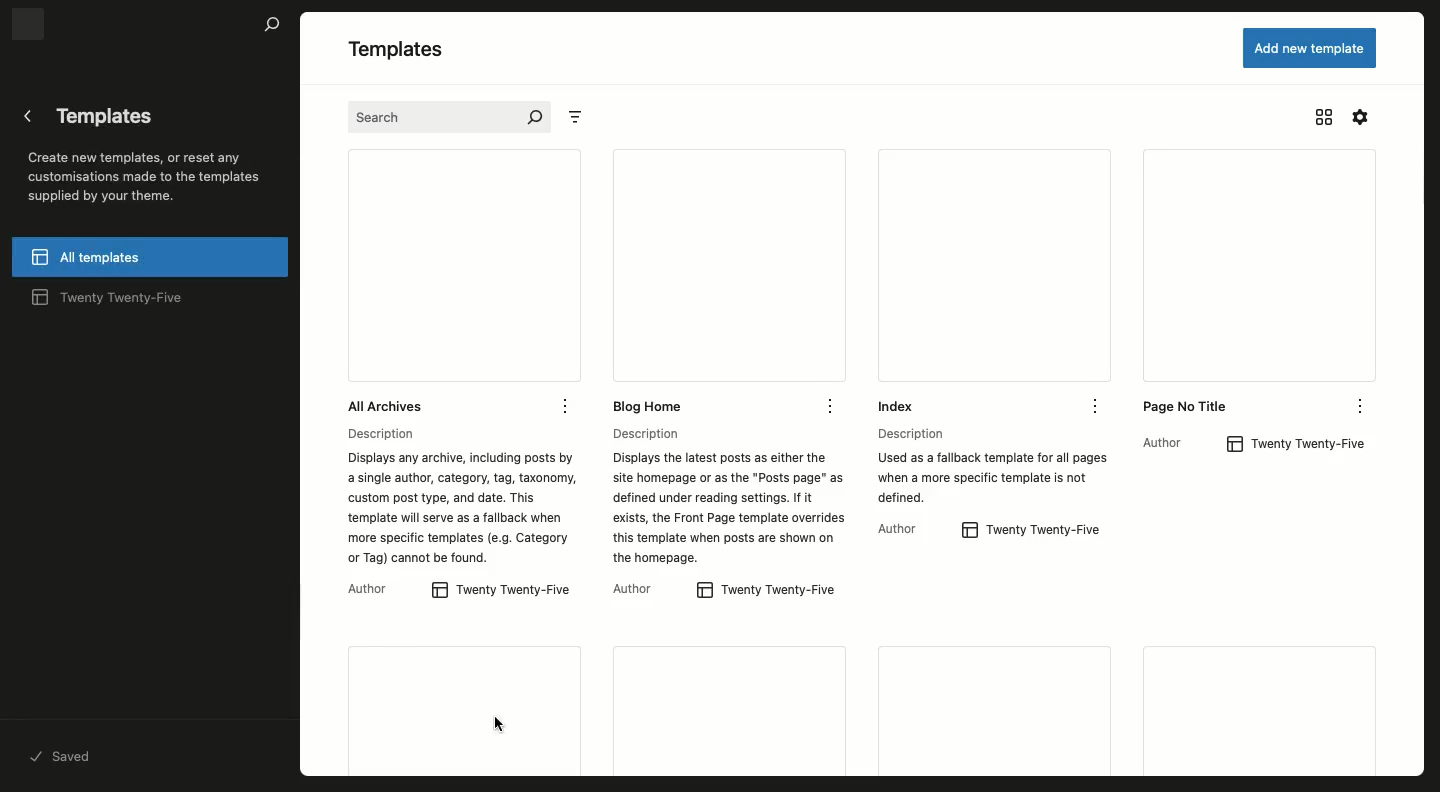 This screenshot has width=1440, height=792. Describe the element at coordinates (462, 712) in the screenshot. I see `404 error template` at that location.